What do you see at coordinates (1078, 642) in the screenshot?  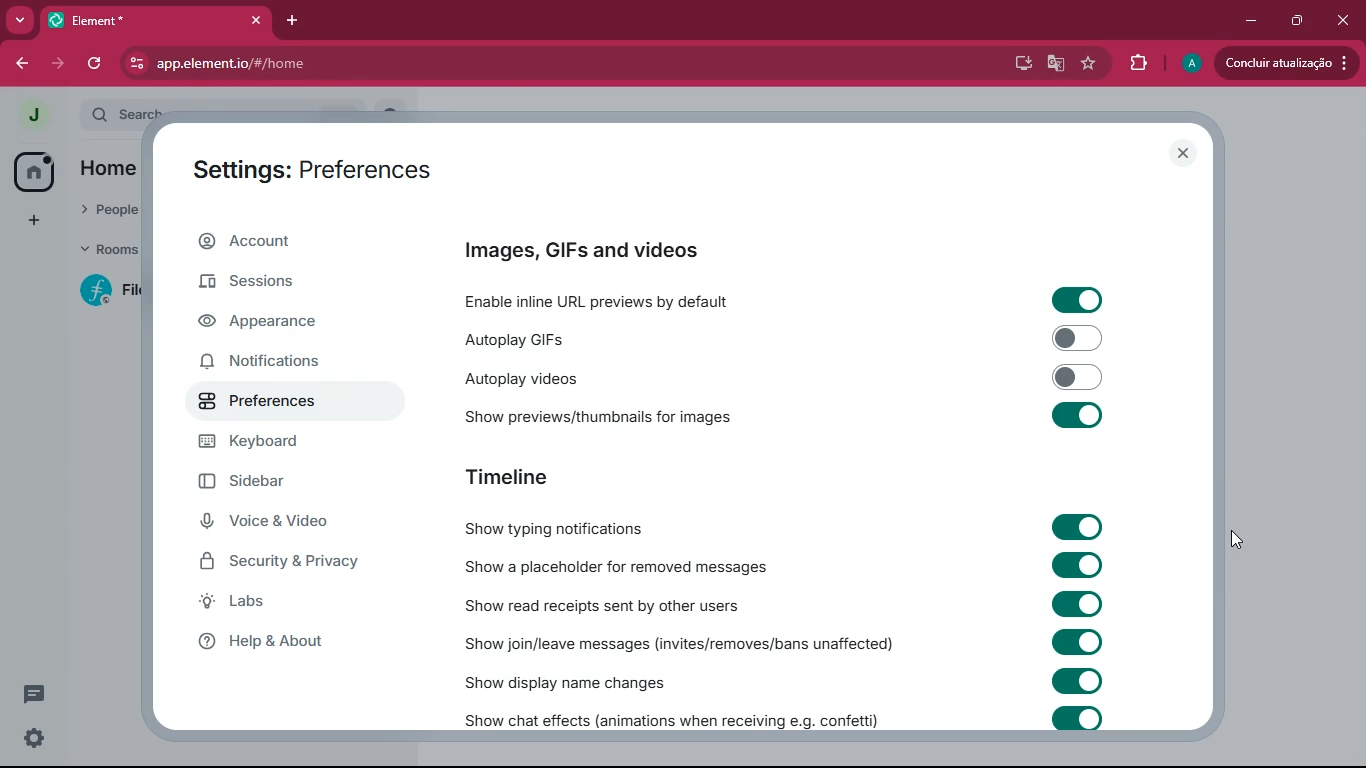 I see `toggle on/off` at bounding box center [1078, 642].